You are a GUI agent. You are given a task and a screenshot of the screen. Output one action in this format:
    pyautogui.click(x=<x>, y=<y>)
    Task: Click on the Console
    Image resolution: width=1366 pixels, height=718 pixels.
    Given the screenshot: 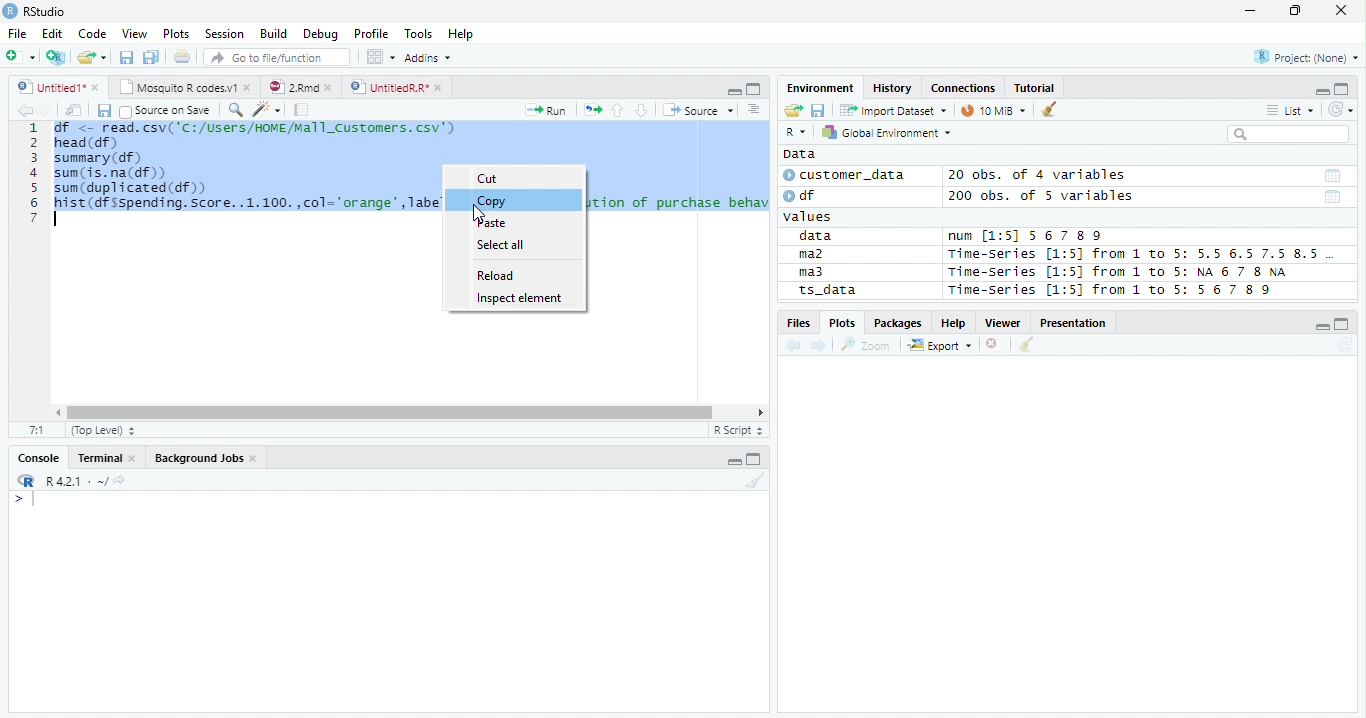 What is the action you would take?
    pyautogui.click(x=39, y=456)
    